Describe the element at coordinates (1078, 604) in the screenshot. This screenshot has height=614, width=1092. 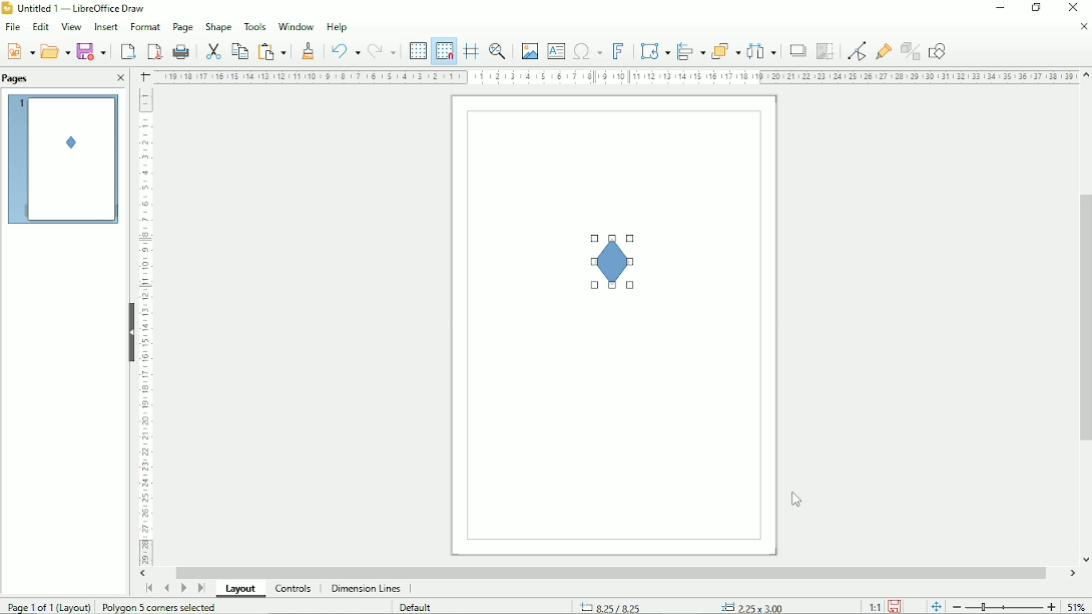
I see `Zoom factor` at that location.